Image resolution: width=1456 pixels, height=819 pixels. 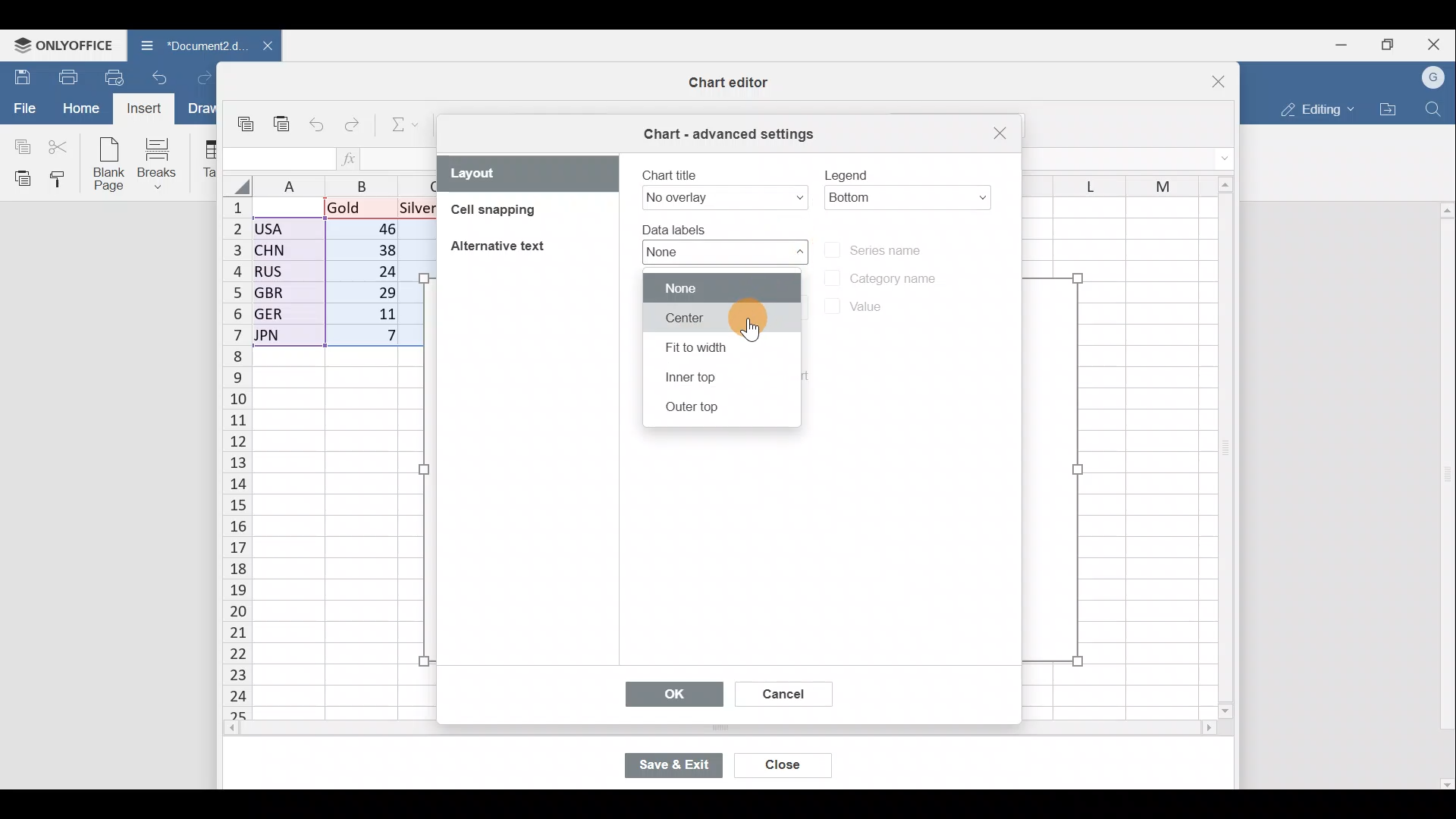 I want to click on Redo, so click(x=353, y=128).